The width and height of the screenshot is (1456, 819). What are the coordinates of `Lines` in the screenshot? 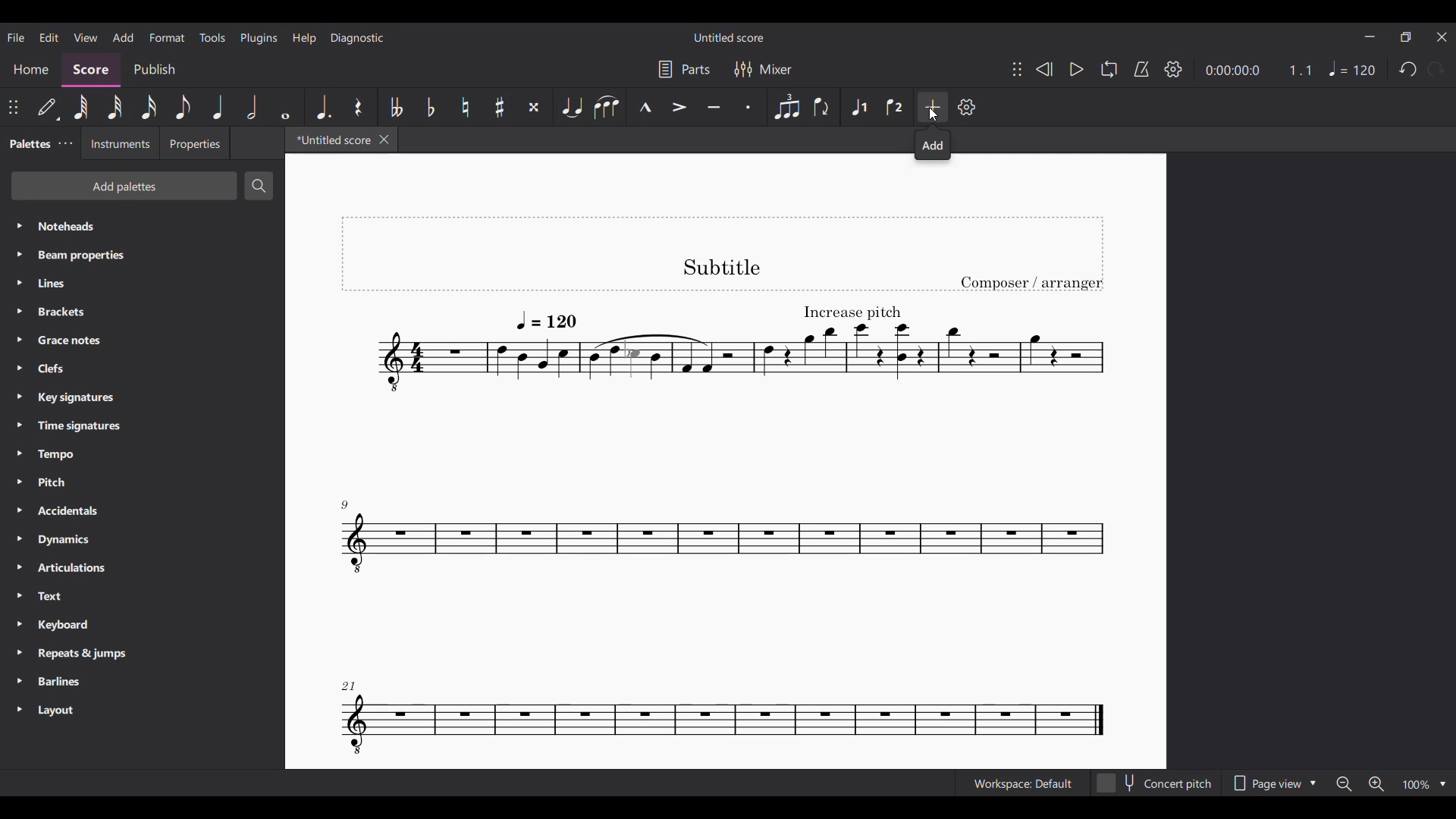 It's located at (143, 283).